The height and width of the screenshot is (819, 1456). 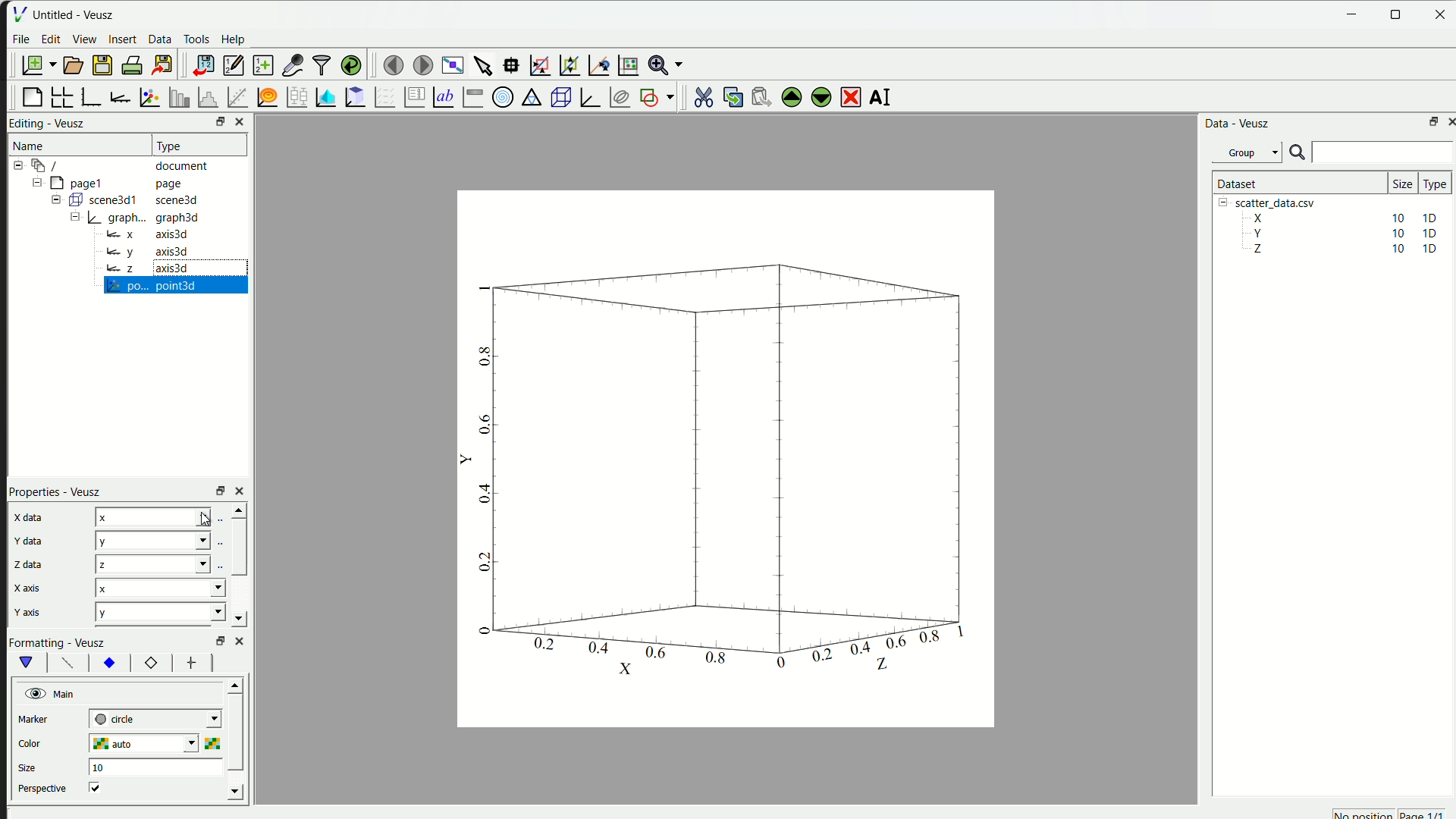 I want to click on paste the widget from the clipboard, so click(x=756, y=97).